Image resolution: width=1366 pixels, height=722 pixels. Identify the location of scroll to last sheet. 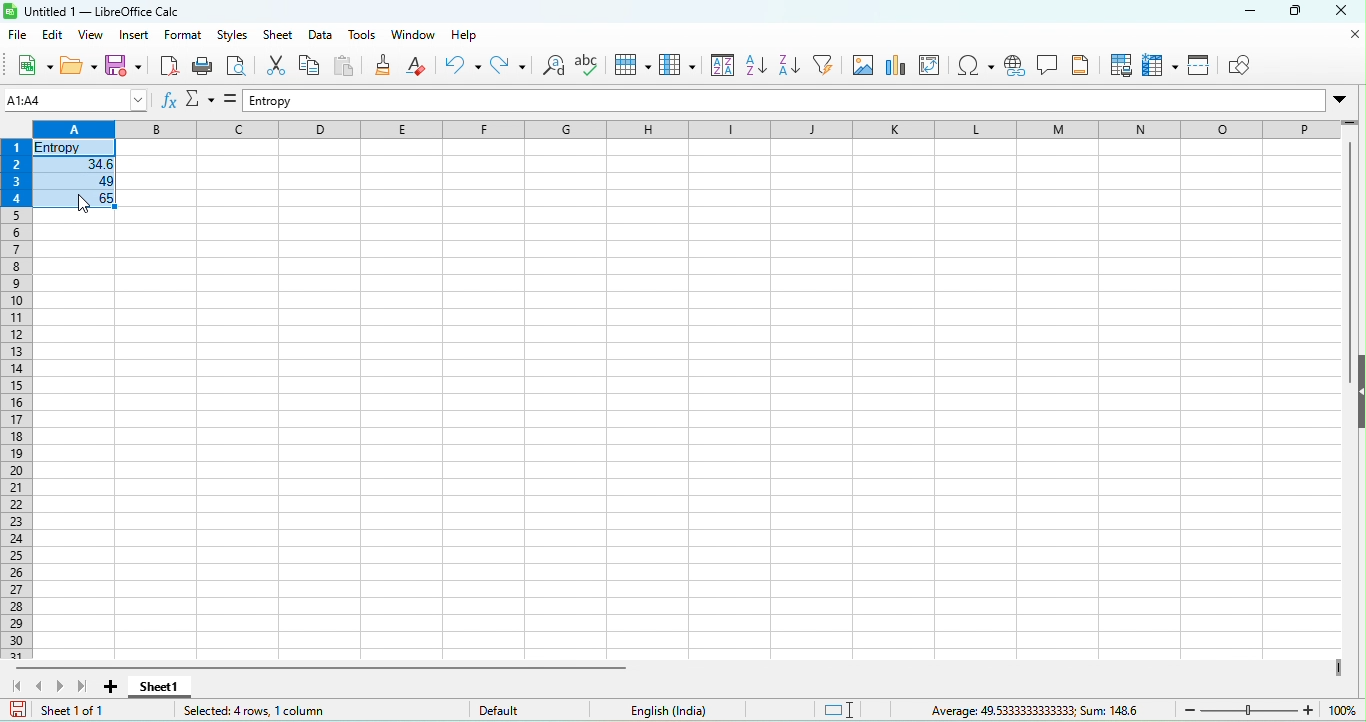
(84, 686).